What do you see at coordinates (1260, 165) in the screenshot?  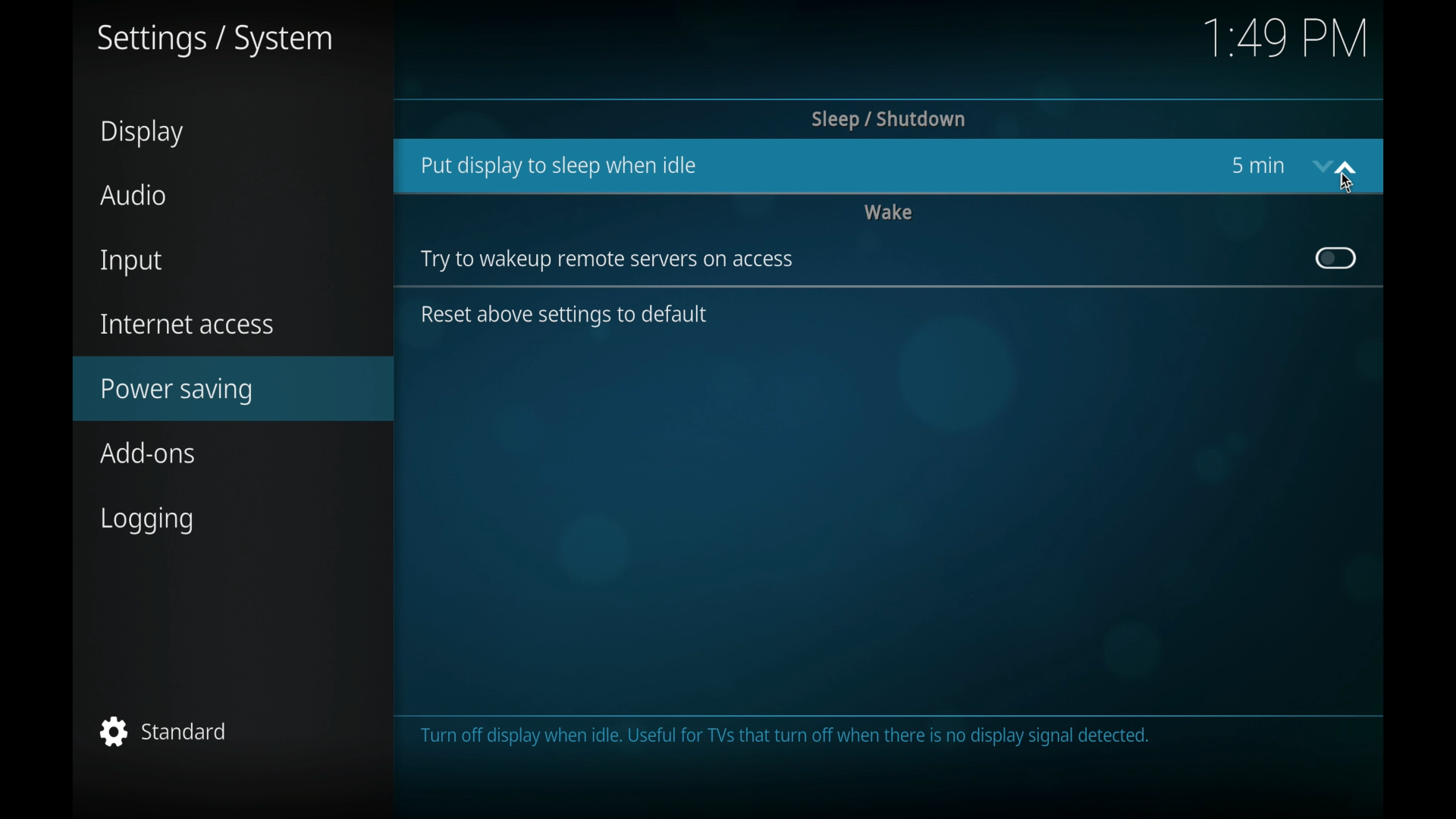 I see `5 min` at bounding box center [1260, 165].